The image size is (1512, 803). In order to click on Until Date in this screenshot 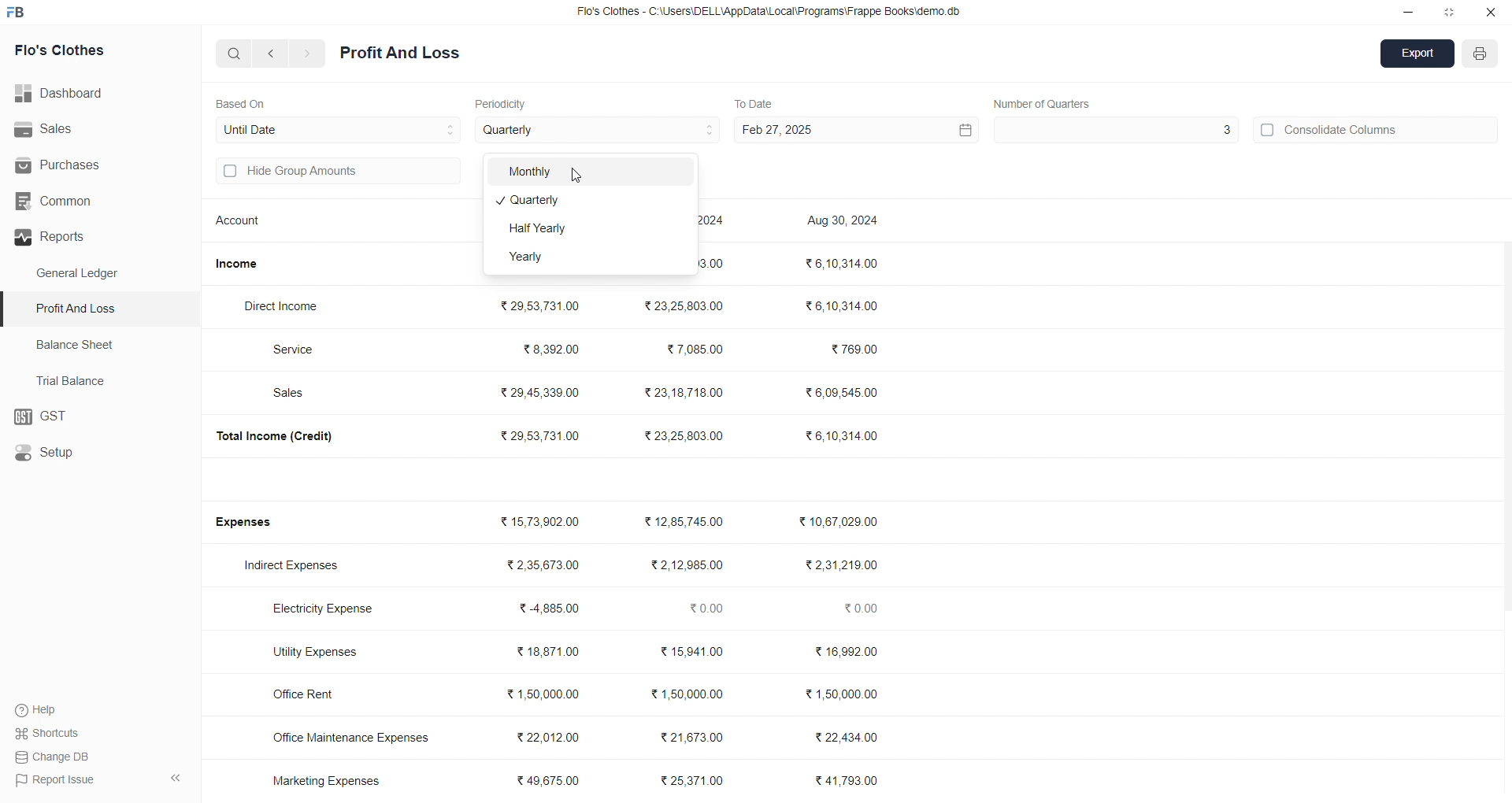, I will do `click(339, 128)`.